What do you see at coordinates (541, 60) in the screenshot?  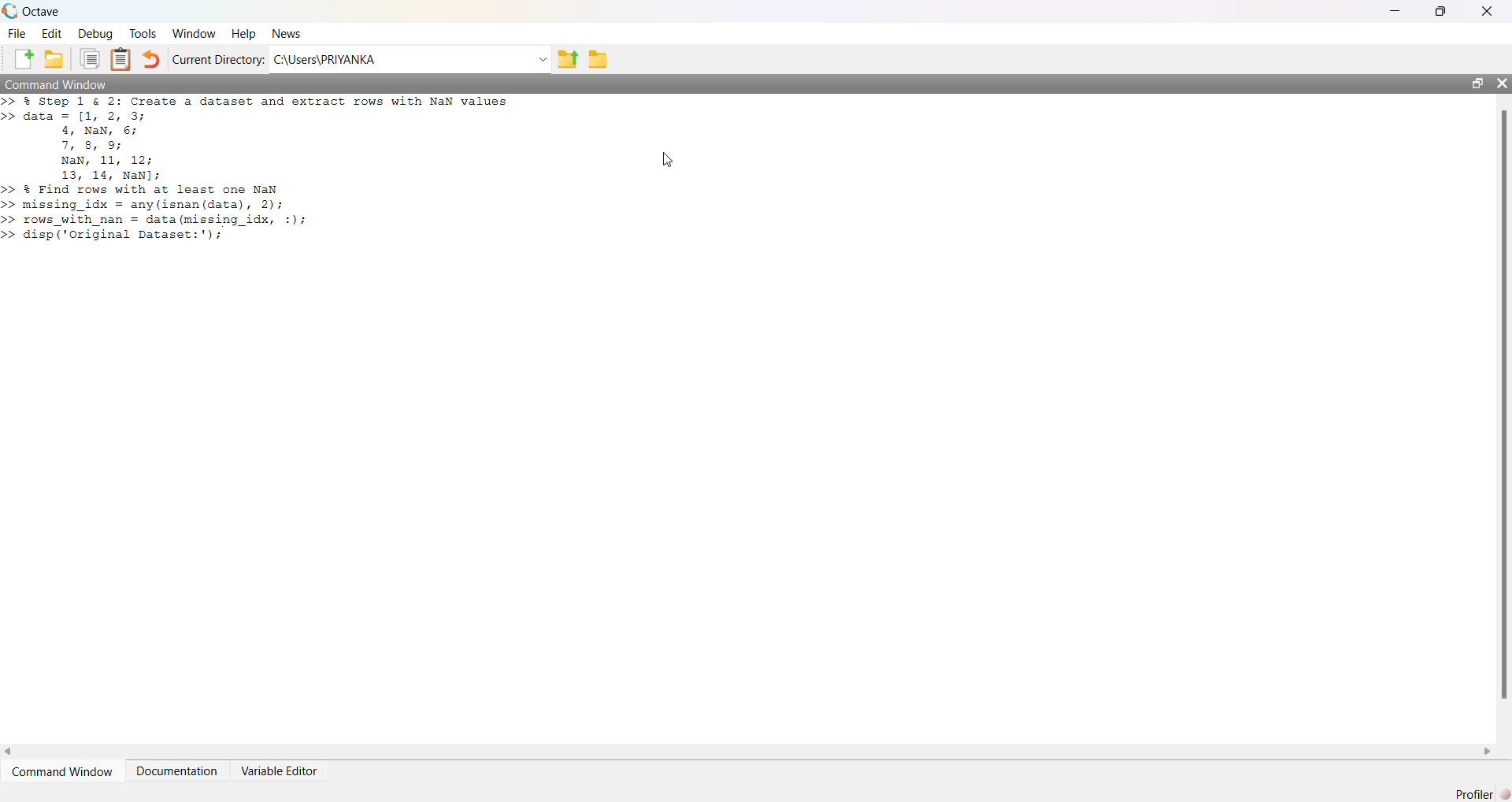 I see `dropdown` at bounding box center [541, 60].